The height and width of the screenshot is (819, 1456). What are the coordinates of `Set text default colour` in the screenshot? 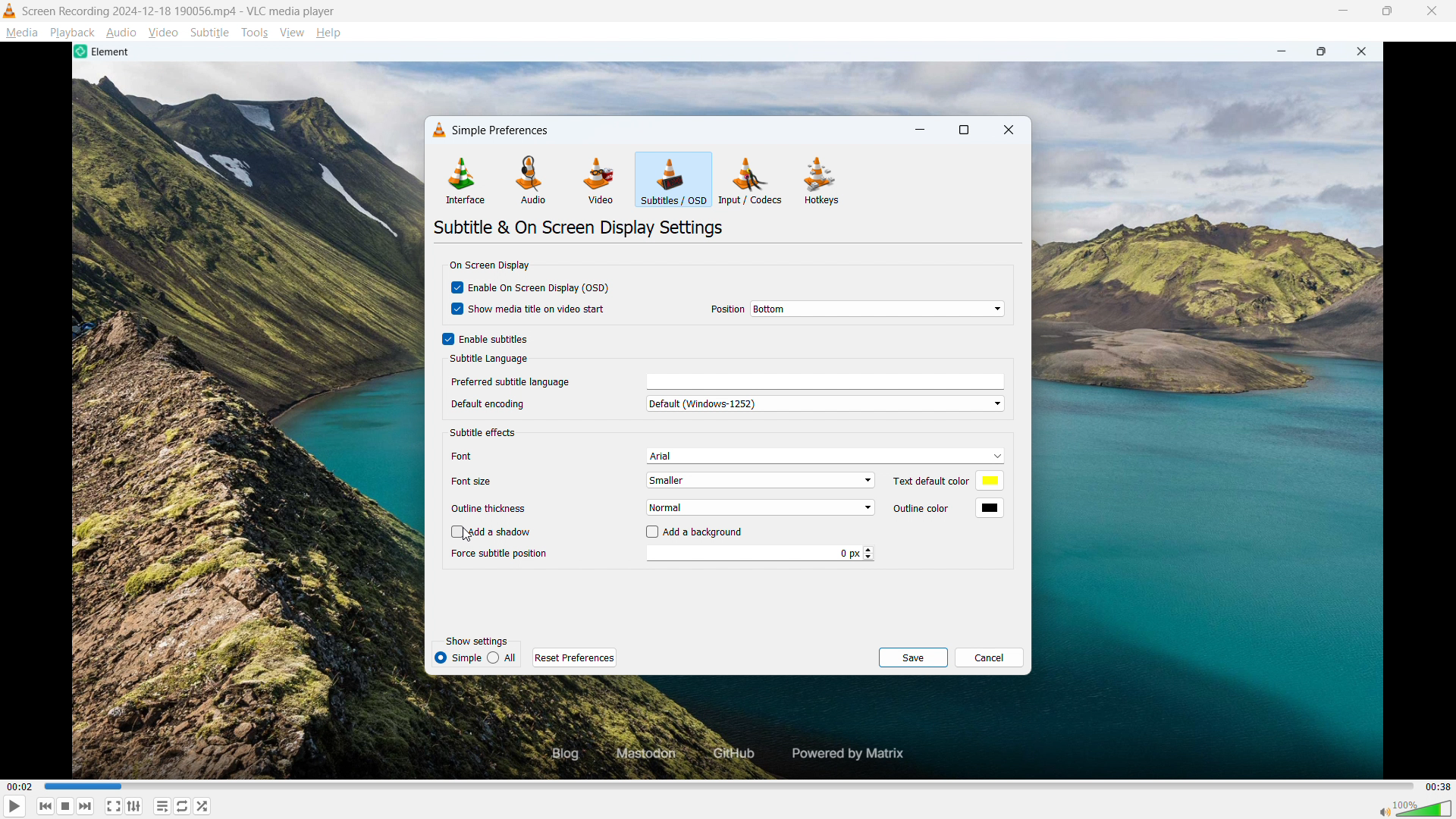 It's located at (946, 482).